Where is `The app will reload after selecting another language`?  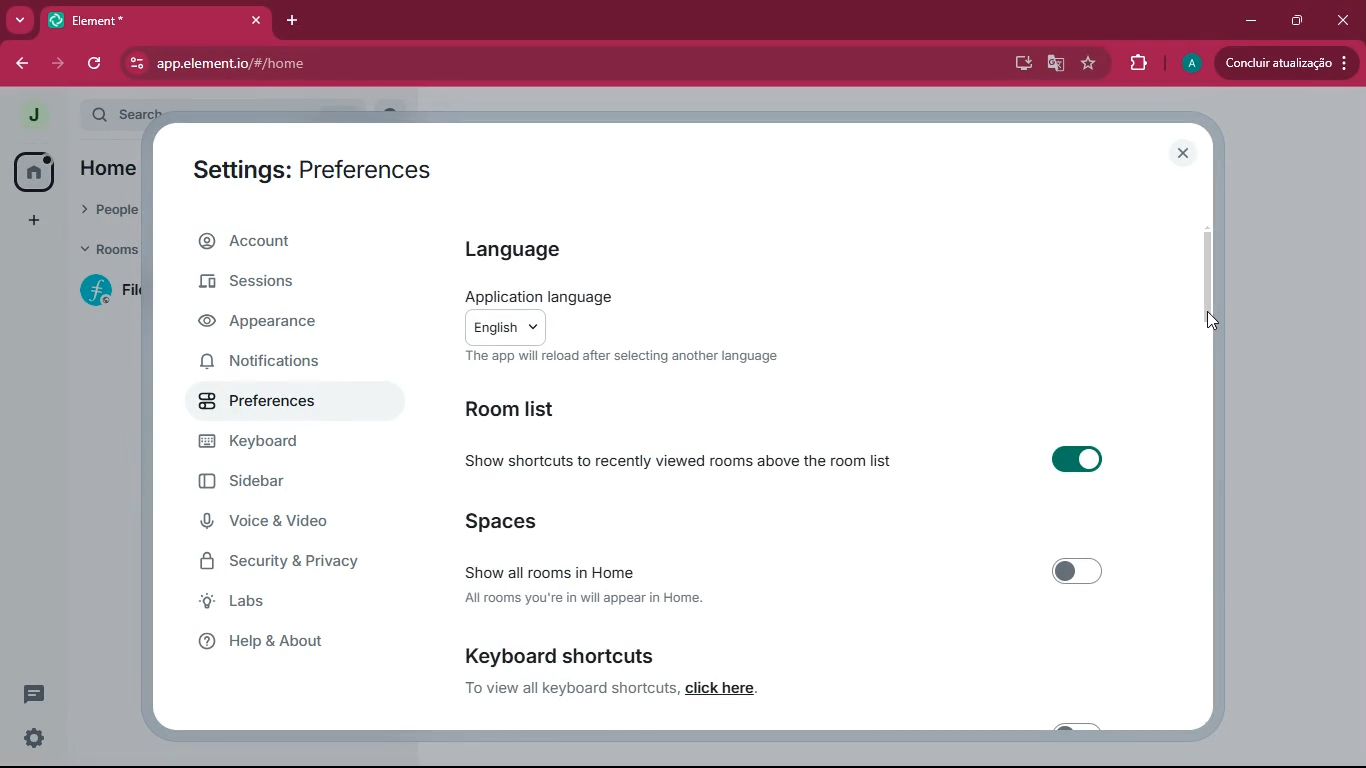
The app will reload after selecting another language is located at coordinates (647, 358).